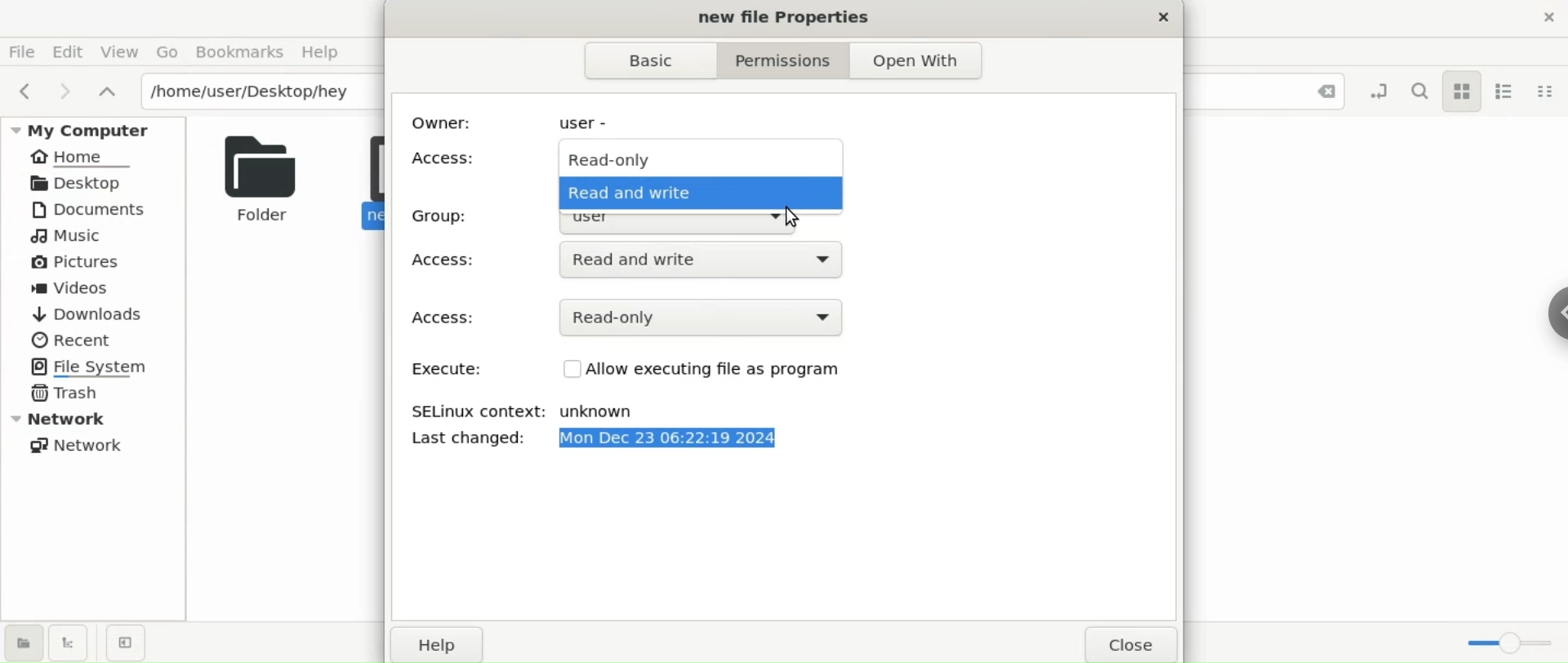 This screenshot has width=1568, height=663. Describe the element at coordinates (96, 366) in the screenshot. I see `File System` at that location.